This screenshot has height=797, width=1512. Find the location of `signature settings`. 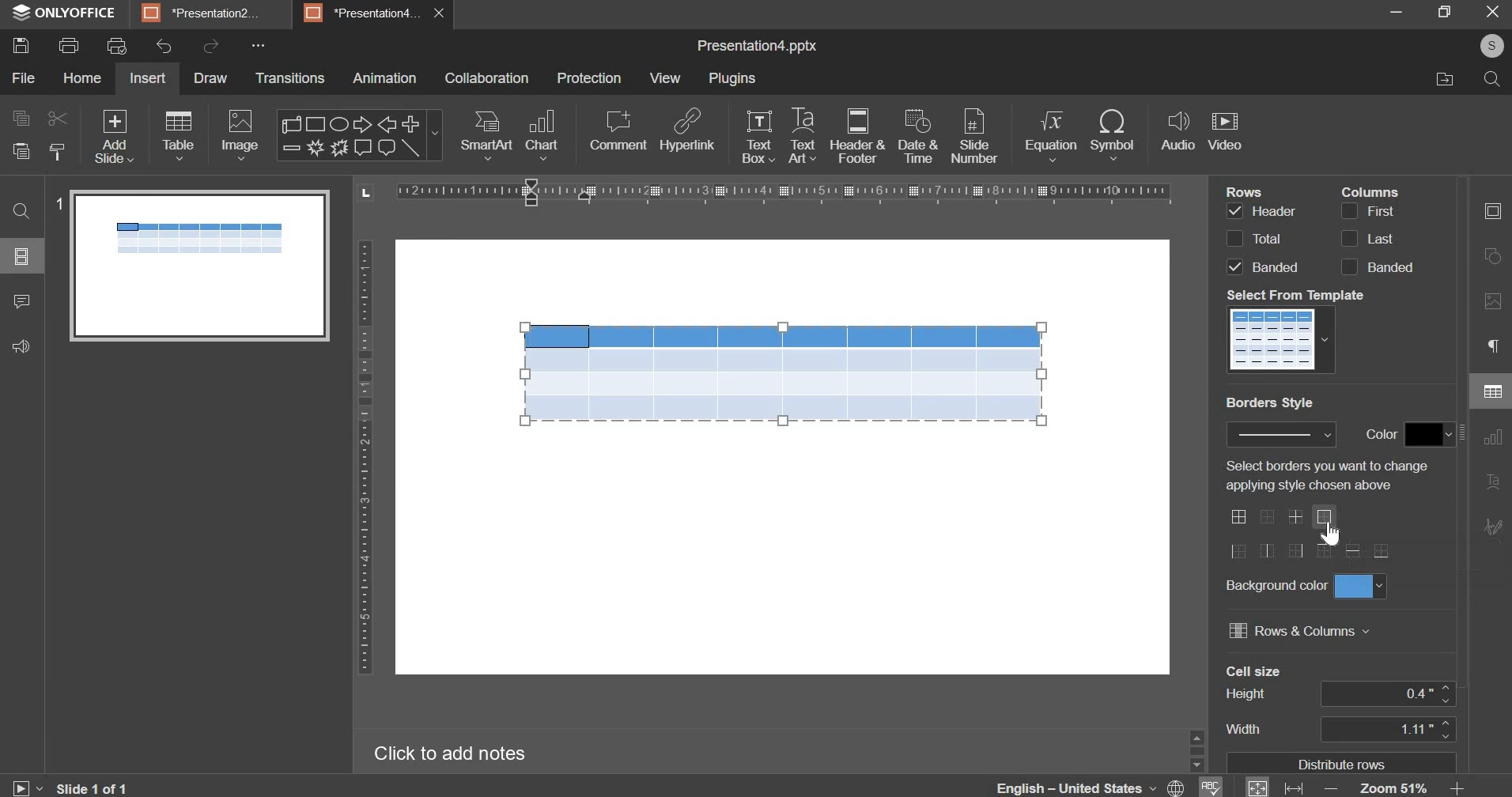

signature settings is located at coordinates (1491, 527).